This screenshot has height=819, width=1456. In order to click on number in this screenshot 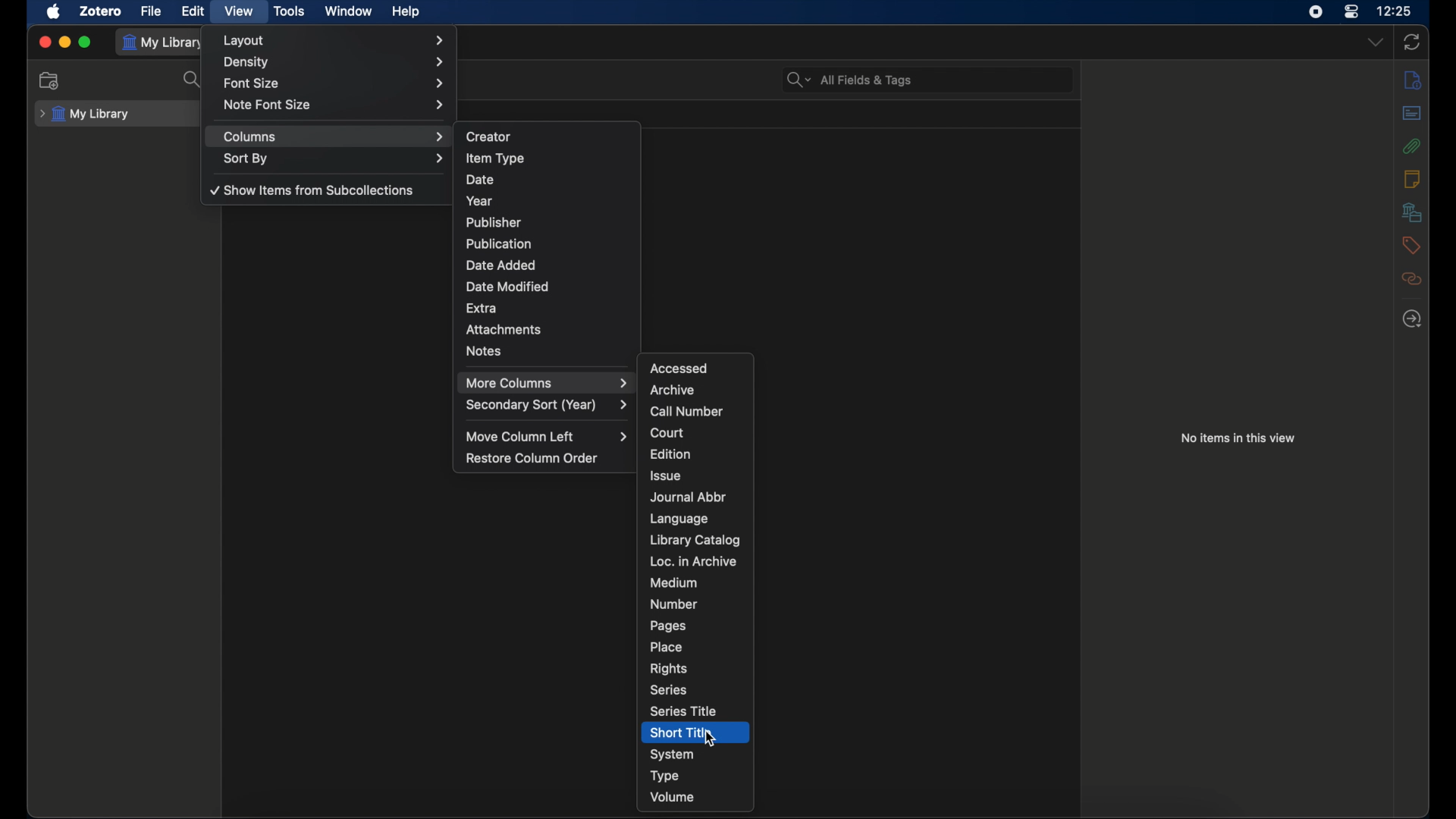, I will do `click(673, 604)`.